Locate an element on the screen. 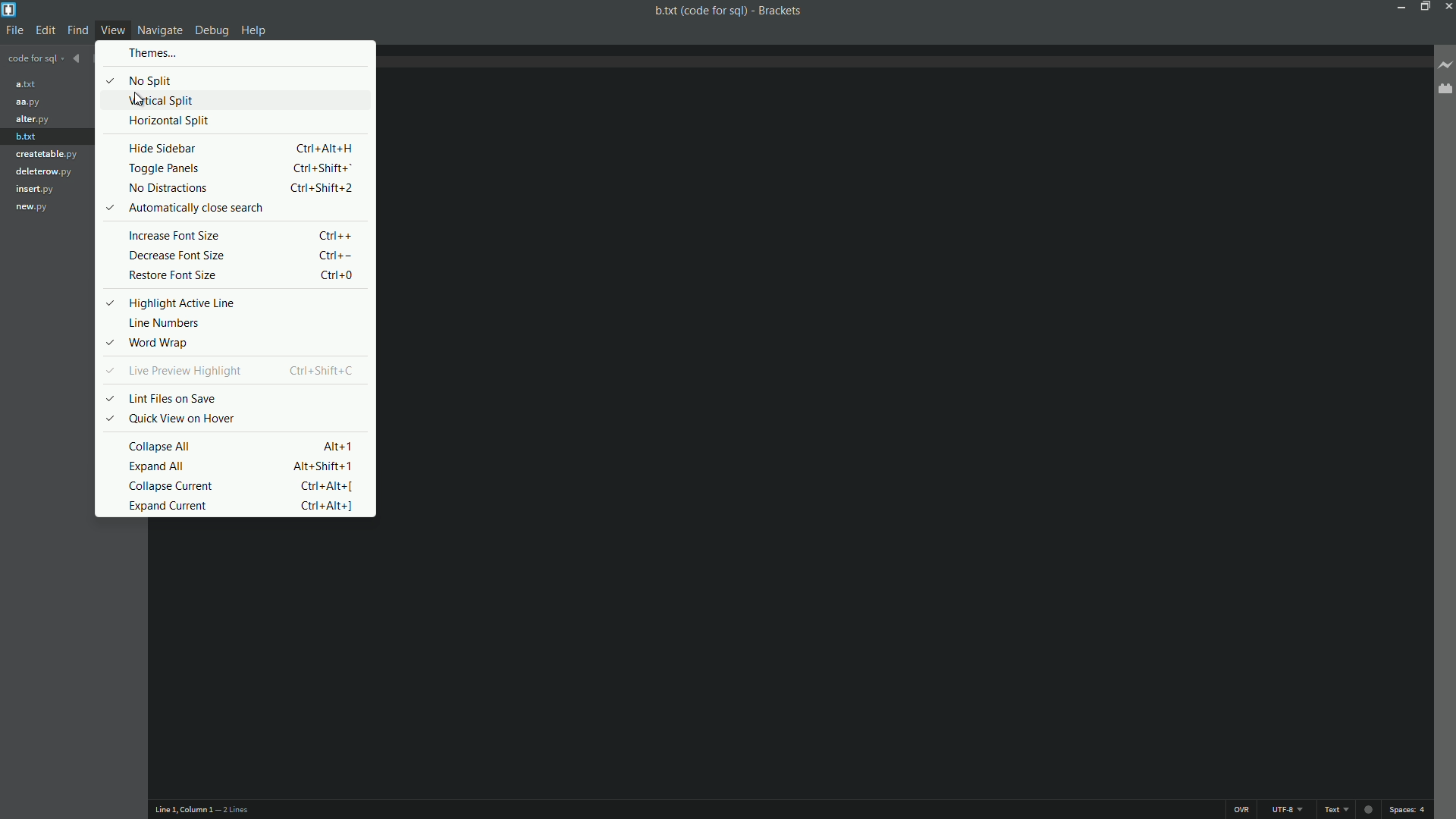  Extension managers is located at coordinates (1444, 91).